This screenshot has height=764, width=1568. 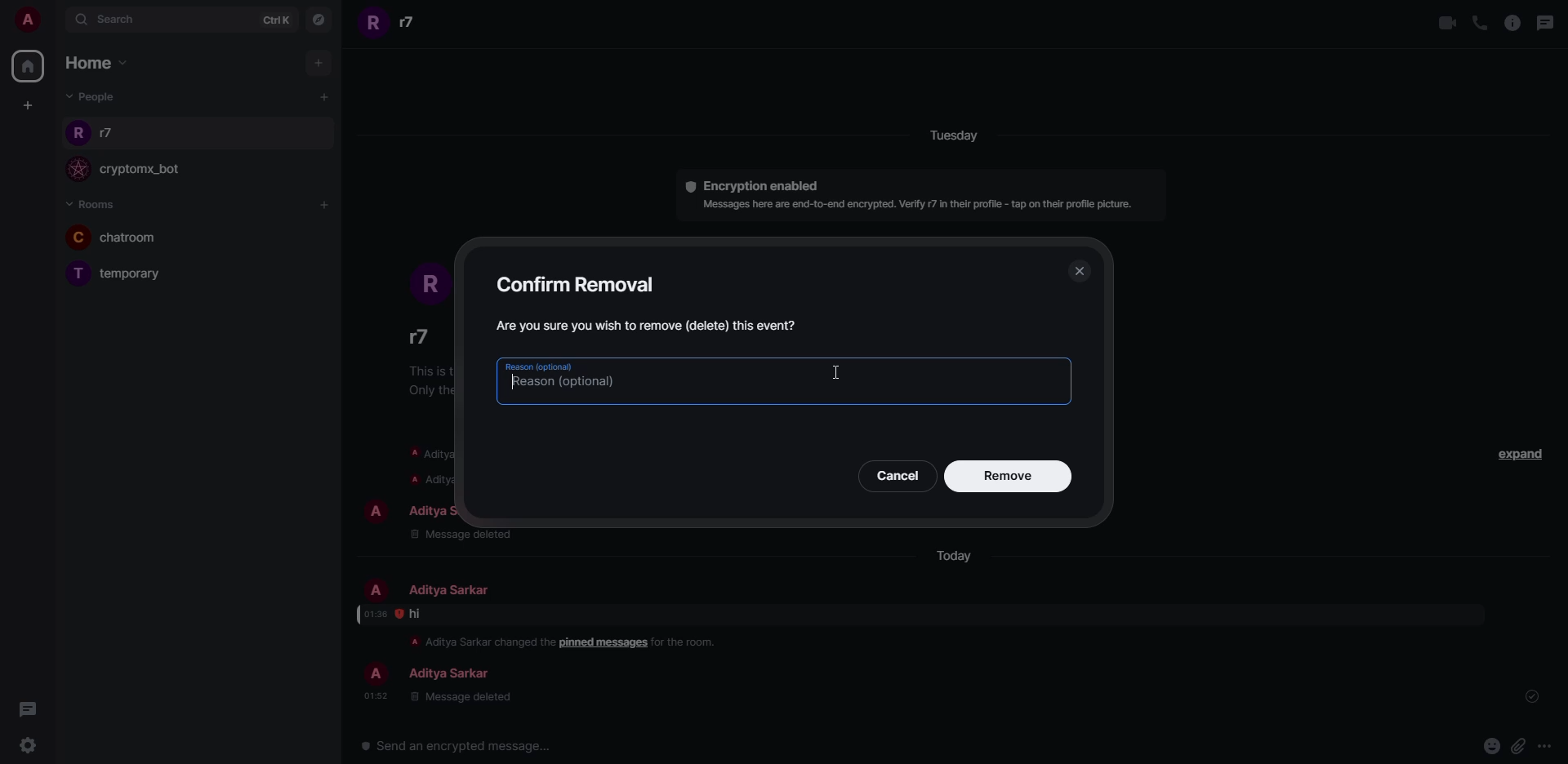 I want to click on create space, so click(x=24, y=104).